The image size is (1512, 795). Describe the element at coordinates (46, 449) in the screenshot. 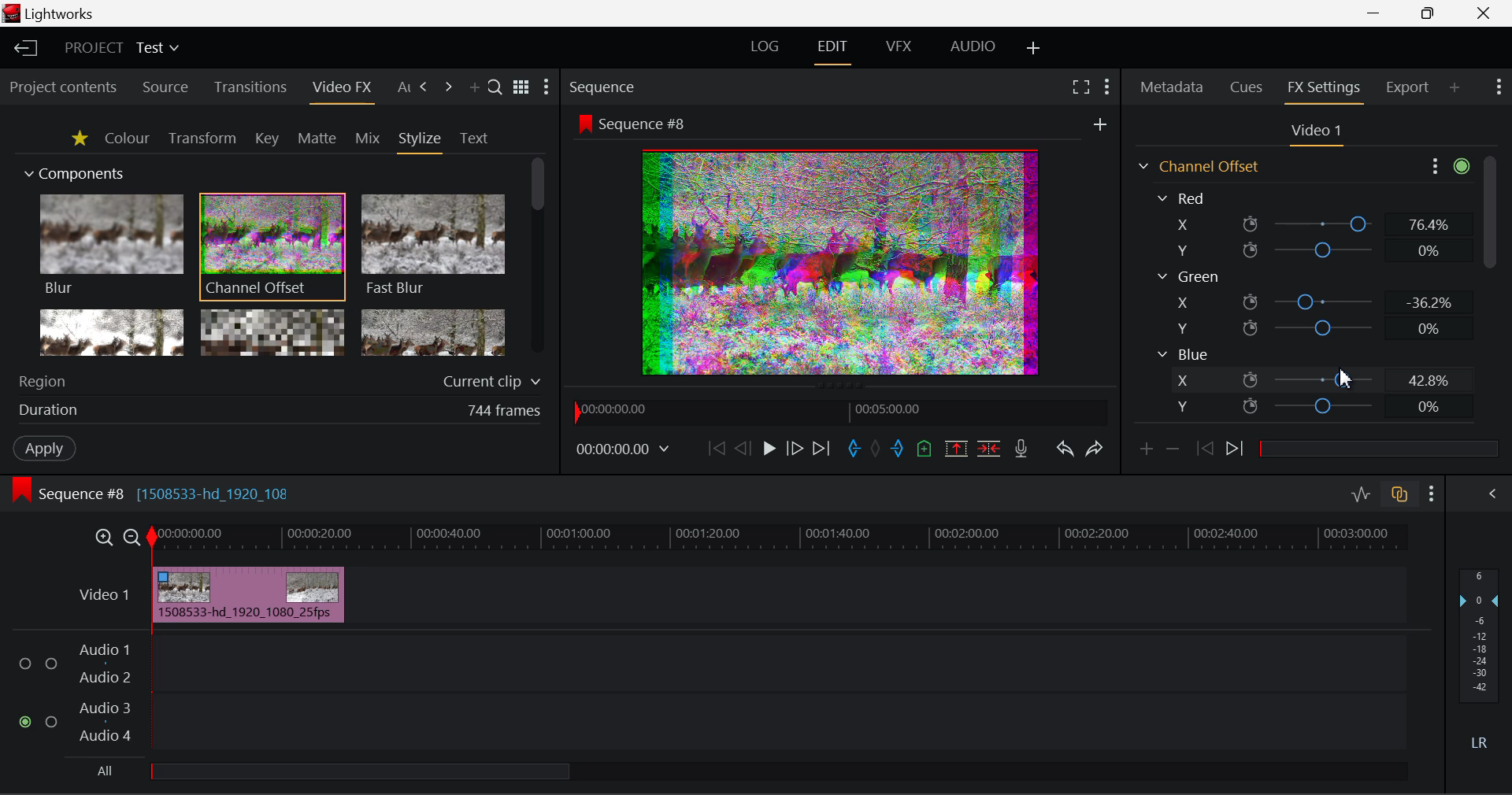

I see `Apply` at that location.